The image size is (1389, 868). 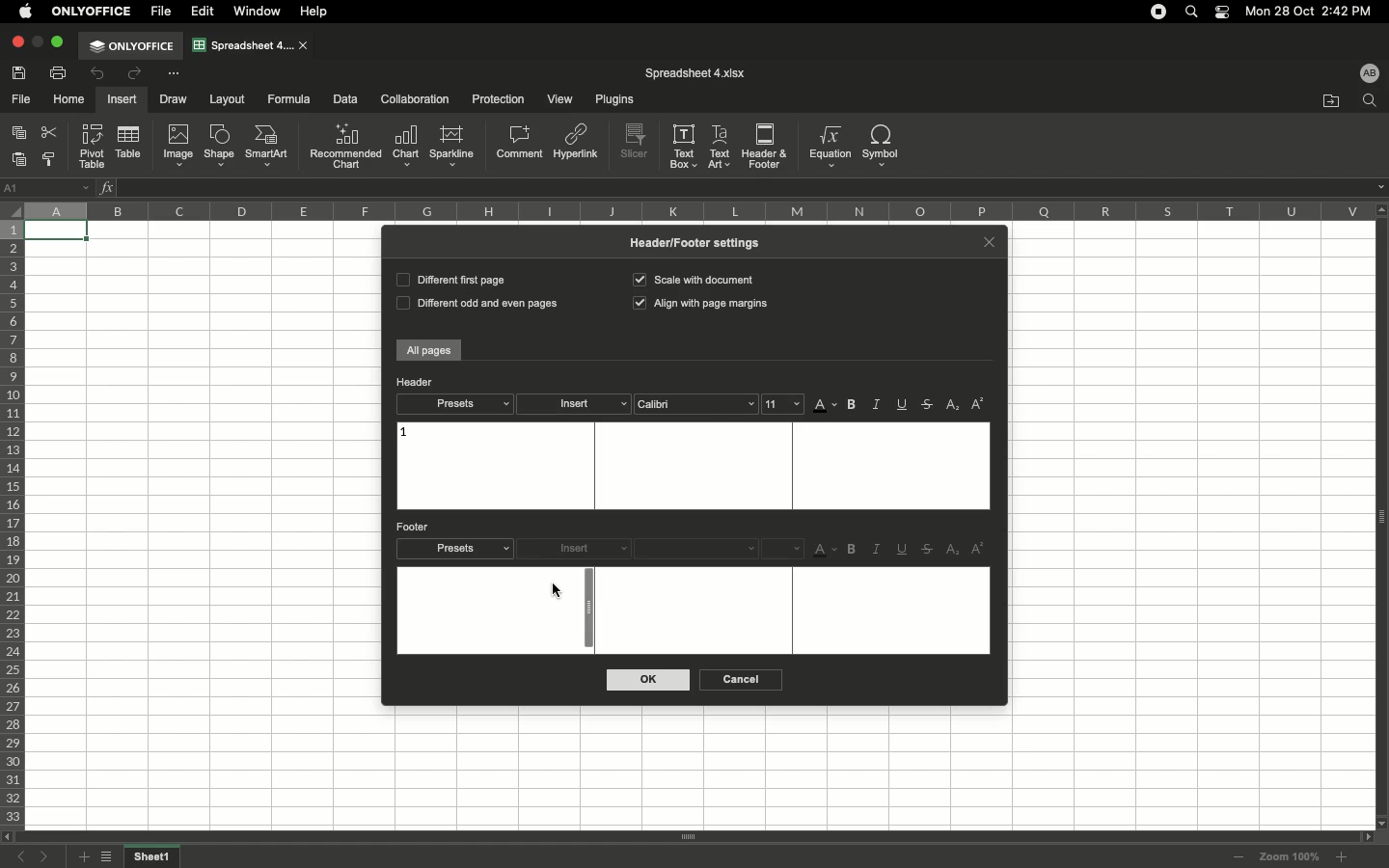 I want to click on Undo, so click(x=99, y=75).